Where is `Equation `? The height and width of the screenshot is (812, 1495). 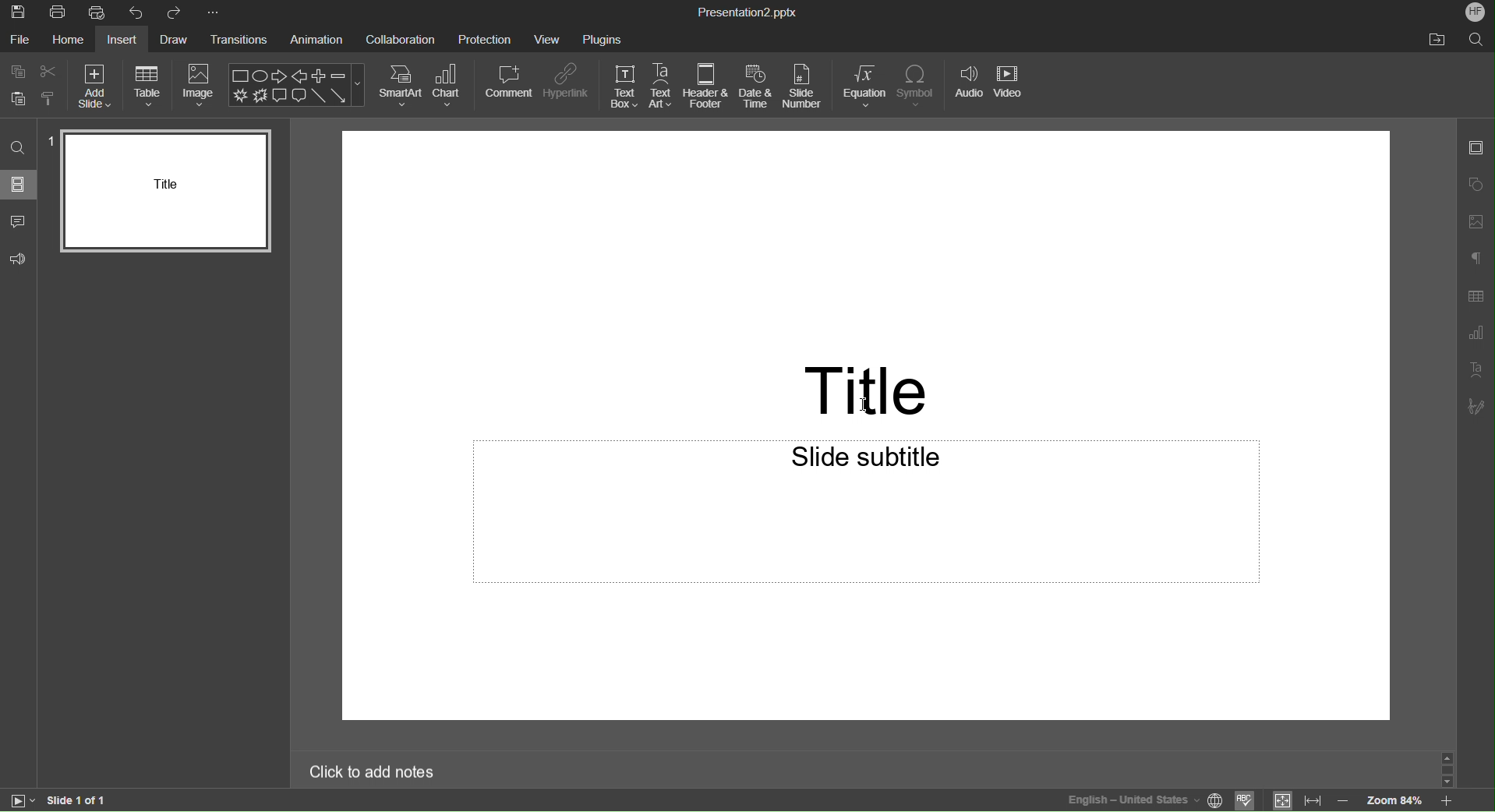 Equation  is located at coordinates (864, 86).